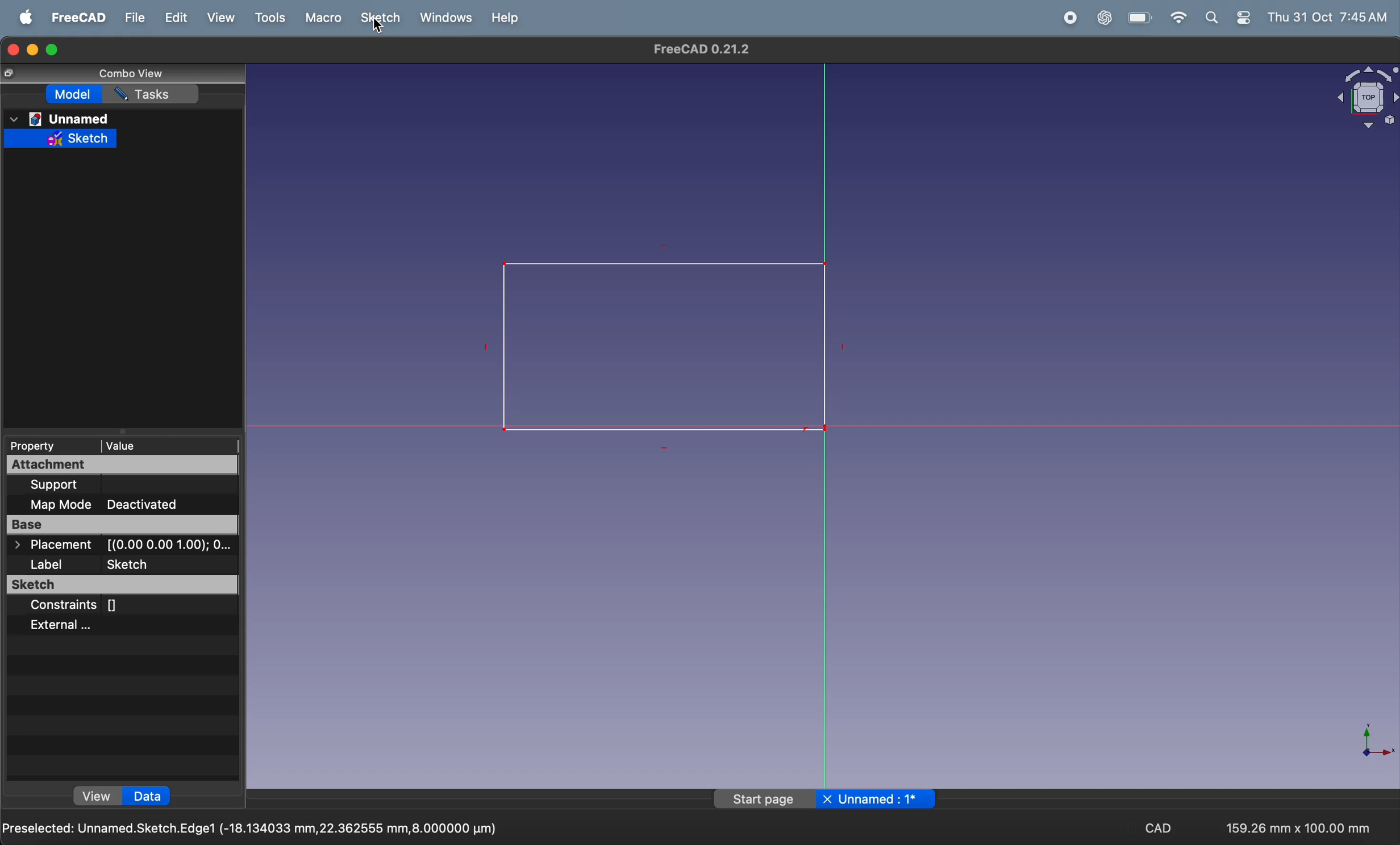 This screenshot has width=1400, height=845. Describe the element at coordinates (378, 31) in the screenshot. I see `cursor` at that location.